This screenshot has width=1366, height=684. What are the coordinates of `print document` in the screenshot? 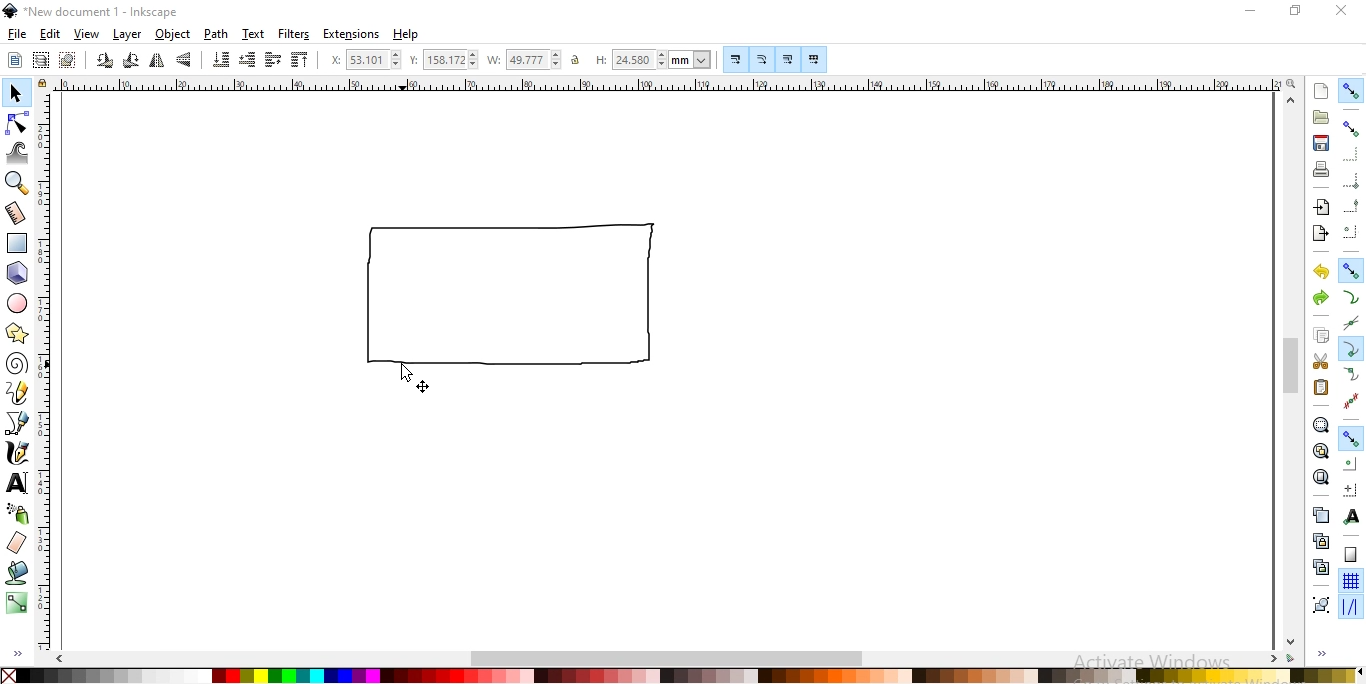 It's located at (1321, 170).